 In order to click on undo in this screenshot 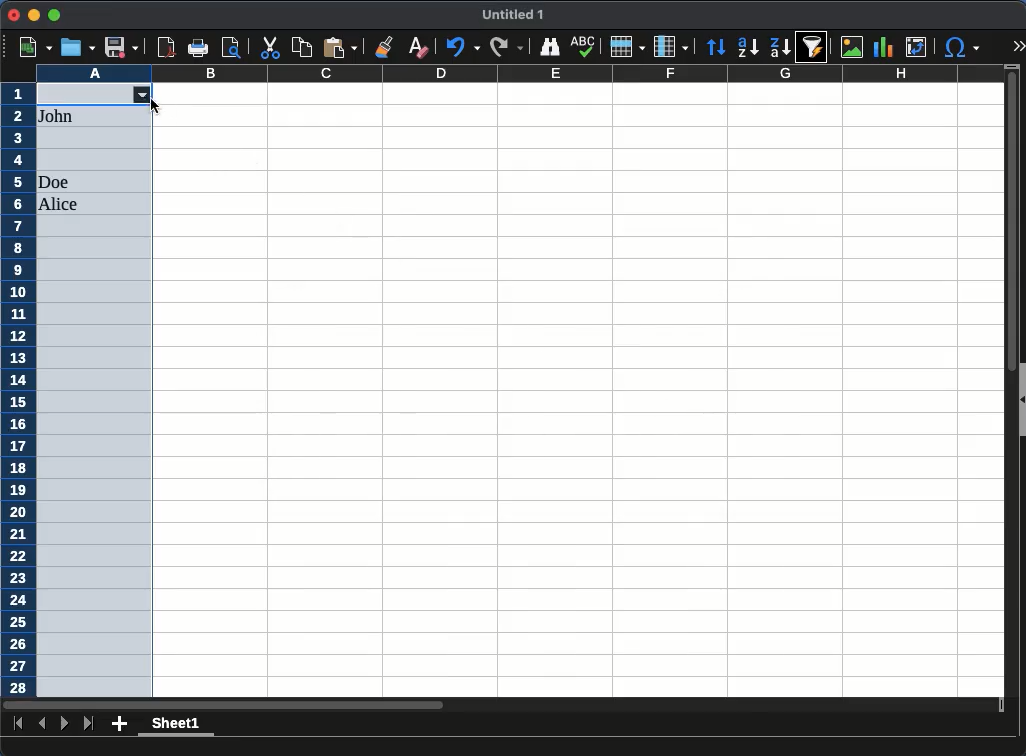, I will do `click(461, 48)`.